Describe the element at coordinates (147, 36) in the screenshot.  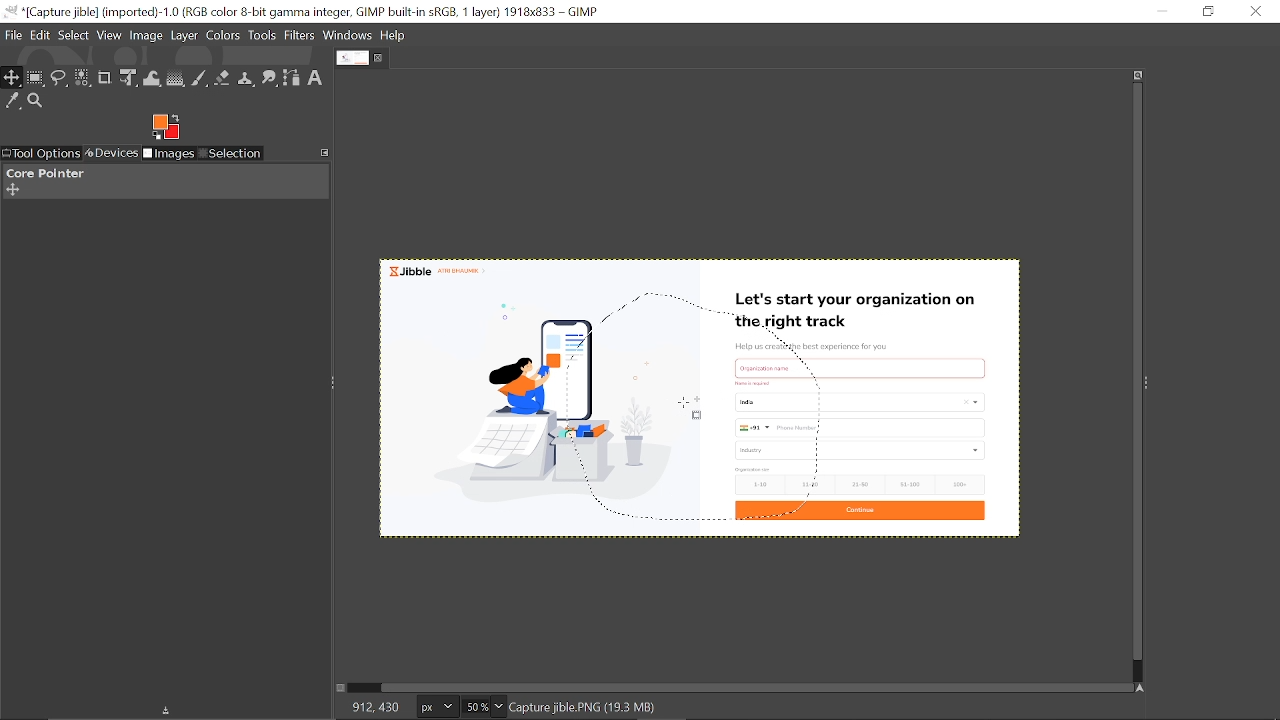
I see `Image` at that location.